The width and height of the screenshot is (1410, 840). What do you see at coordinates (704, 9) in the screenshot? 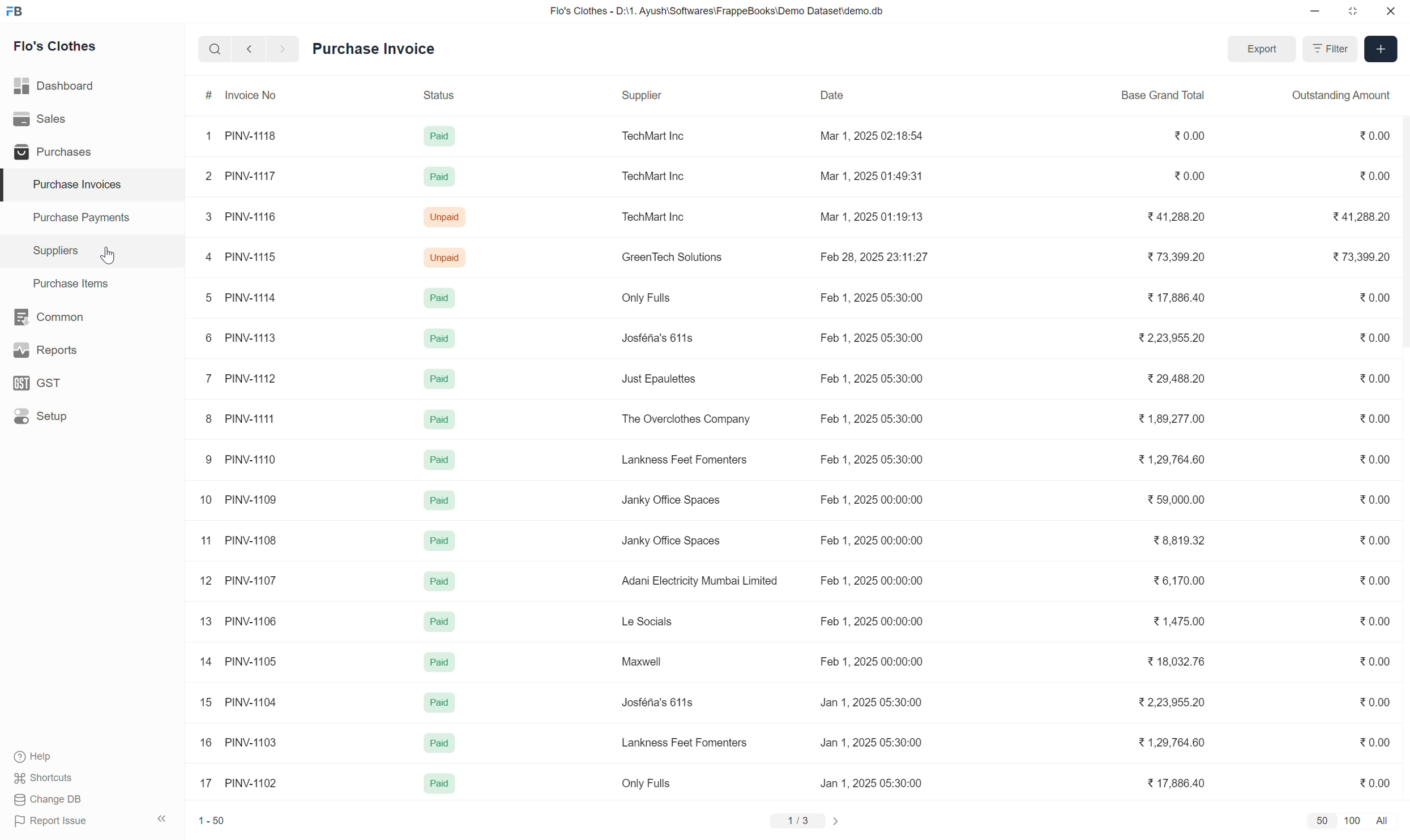
I see `Flo's Clothes - D:\1. Ayush\Softwares\FrappeBooks\Demo Dataset\demo.db` at bounding box center [704, 9].